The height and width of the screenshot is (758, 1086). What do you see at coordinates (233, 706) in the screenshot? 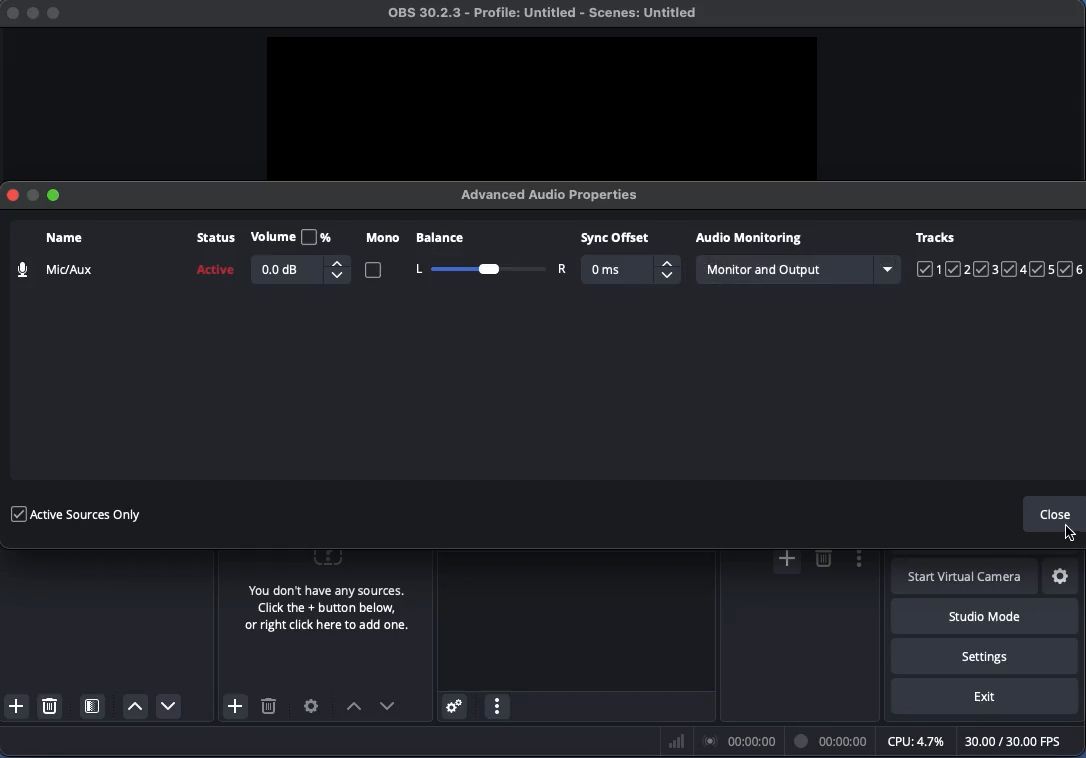
I see `Add source` at bounding box center [233, 706].